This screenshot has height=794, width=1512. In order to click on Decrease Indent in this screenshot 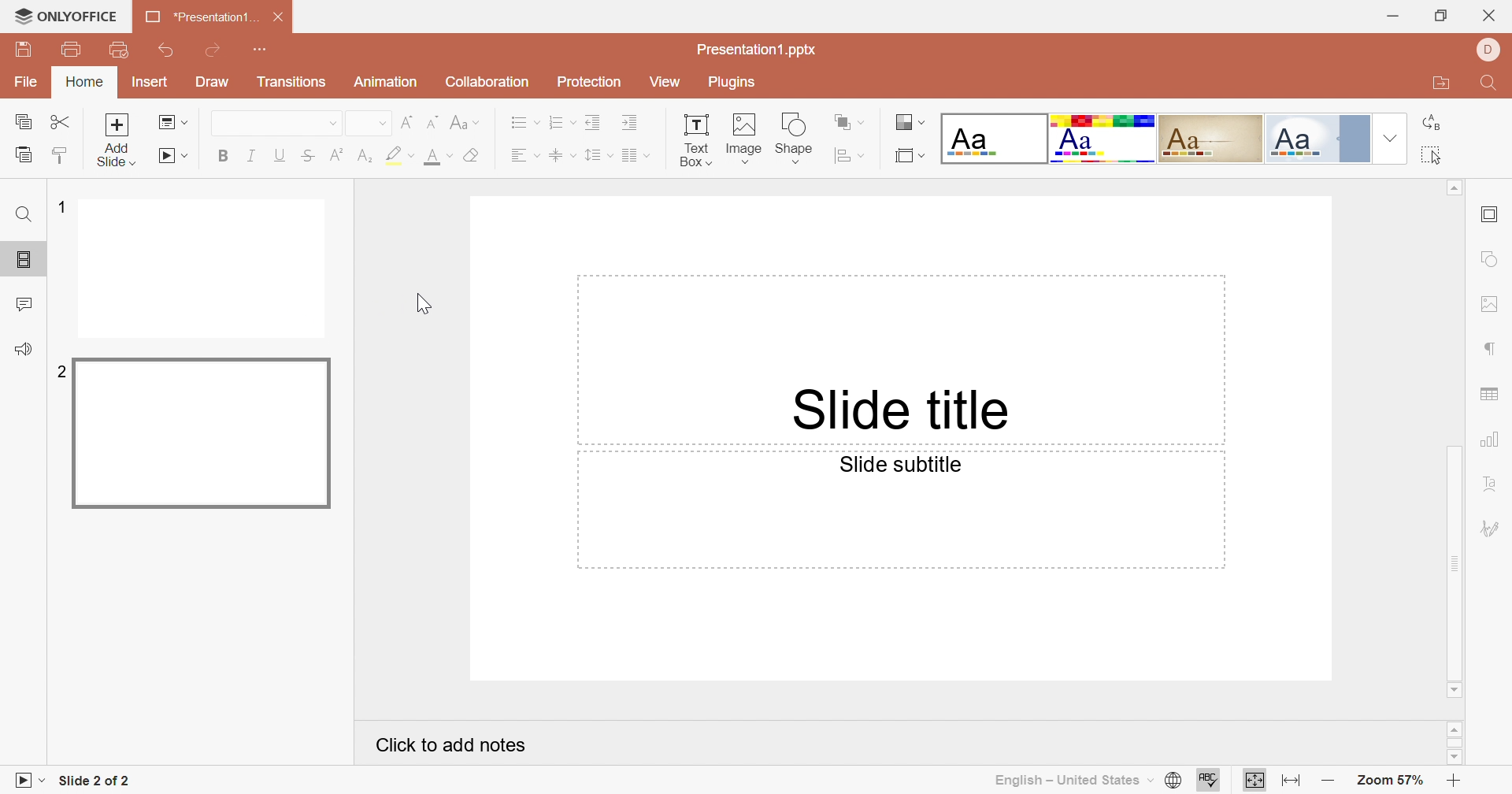, I will do `click(591, 121)`.